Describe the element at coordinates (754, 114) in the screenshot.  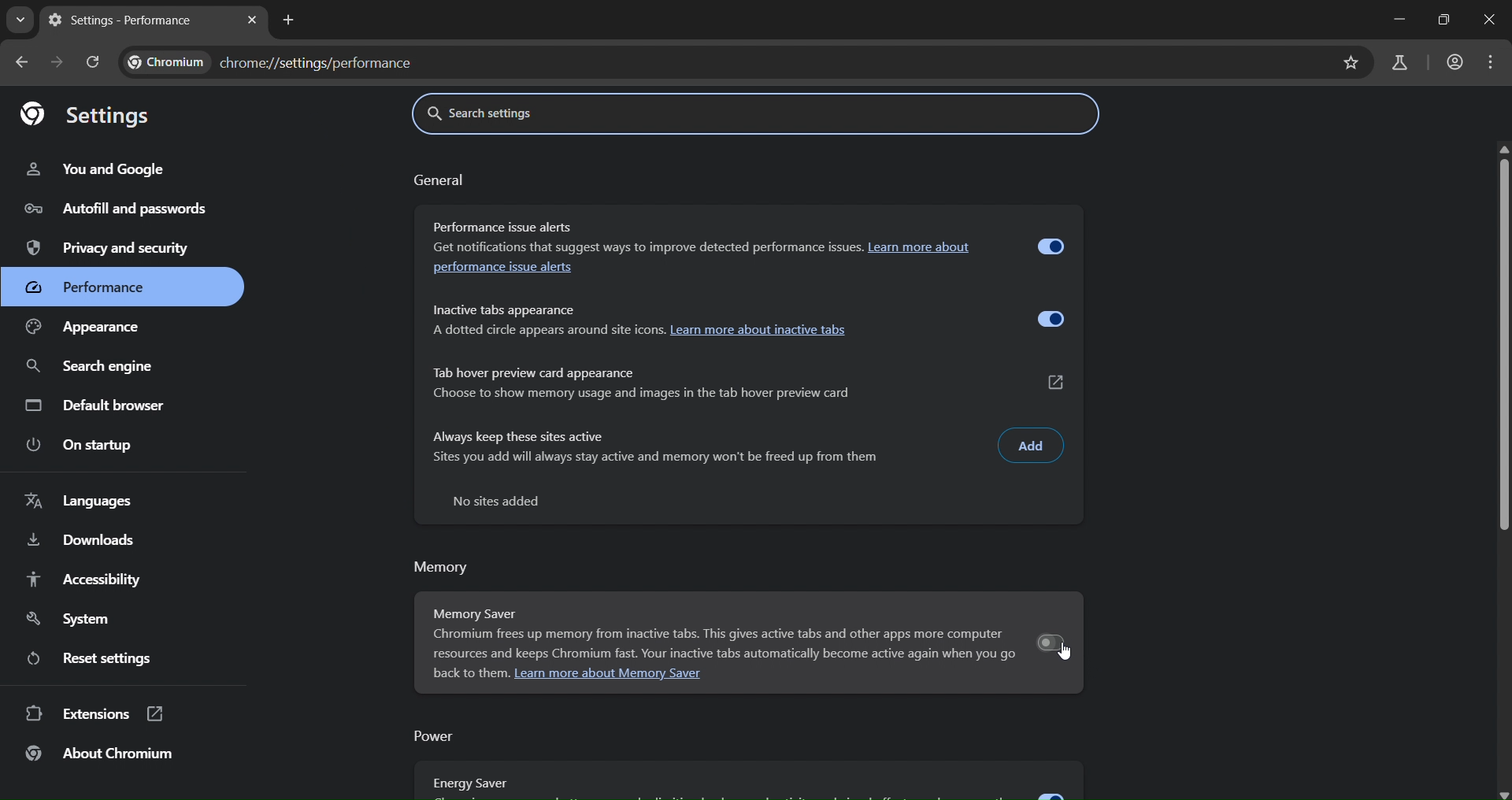
I see `Search settings` at that location.